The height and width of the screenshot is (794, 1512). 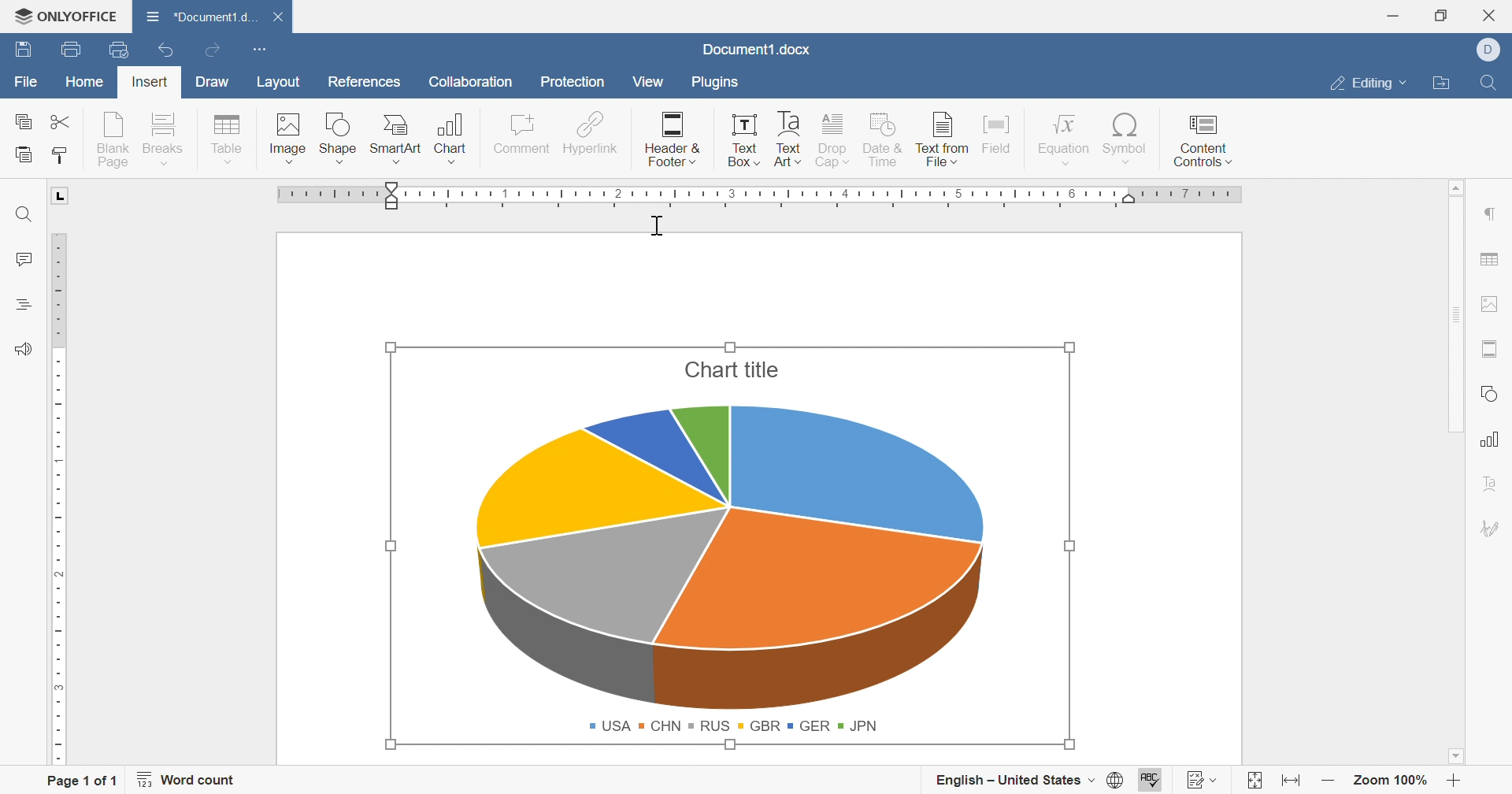 I want to click on Feedback & Support, so click(x=24, y=347).